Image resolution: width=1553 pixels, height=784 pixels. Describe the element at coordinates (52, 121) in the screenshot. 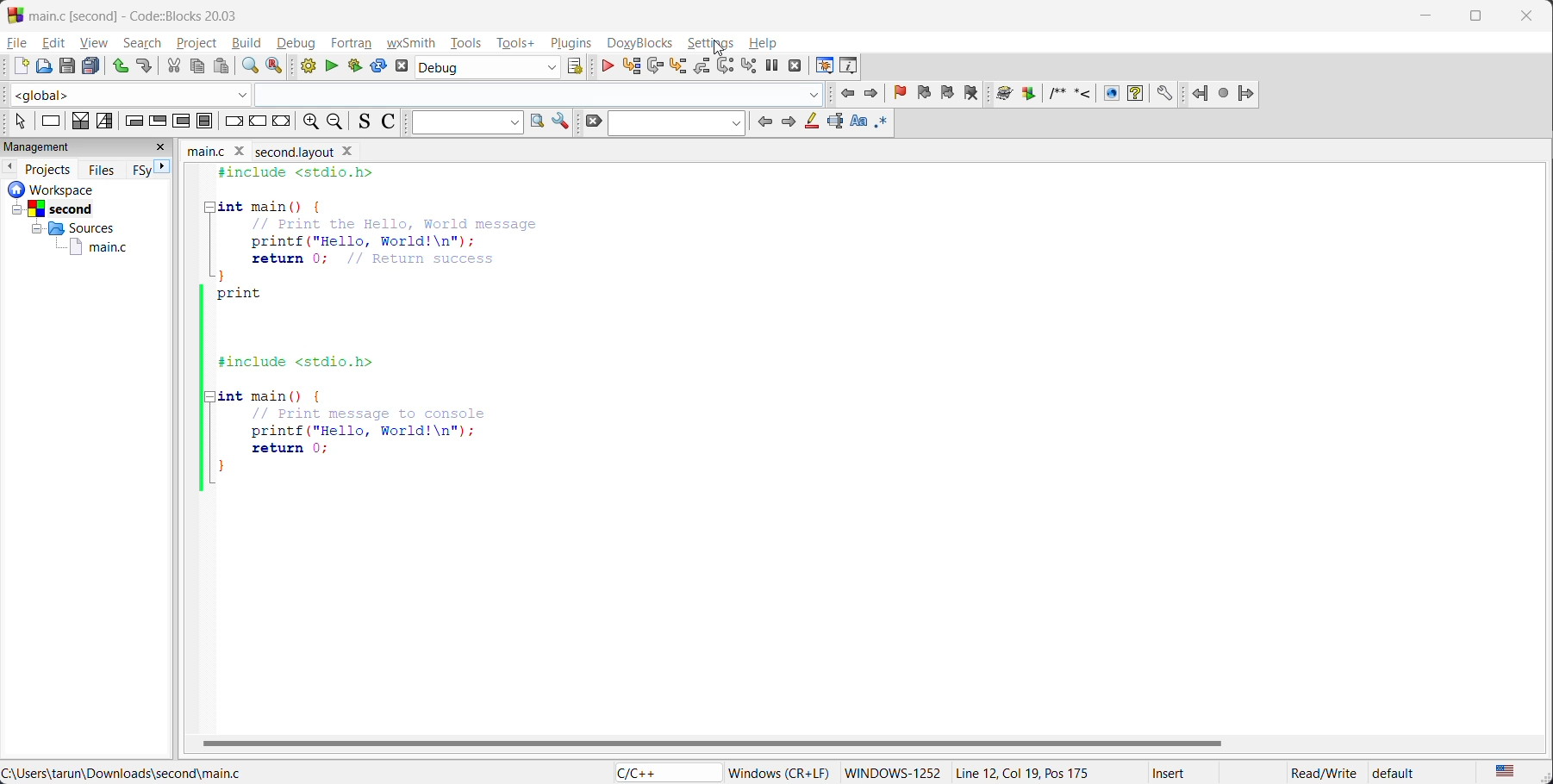

I see `instruction ` at that location.